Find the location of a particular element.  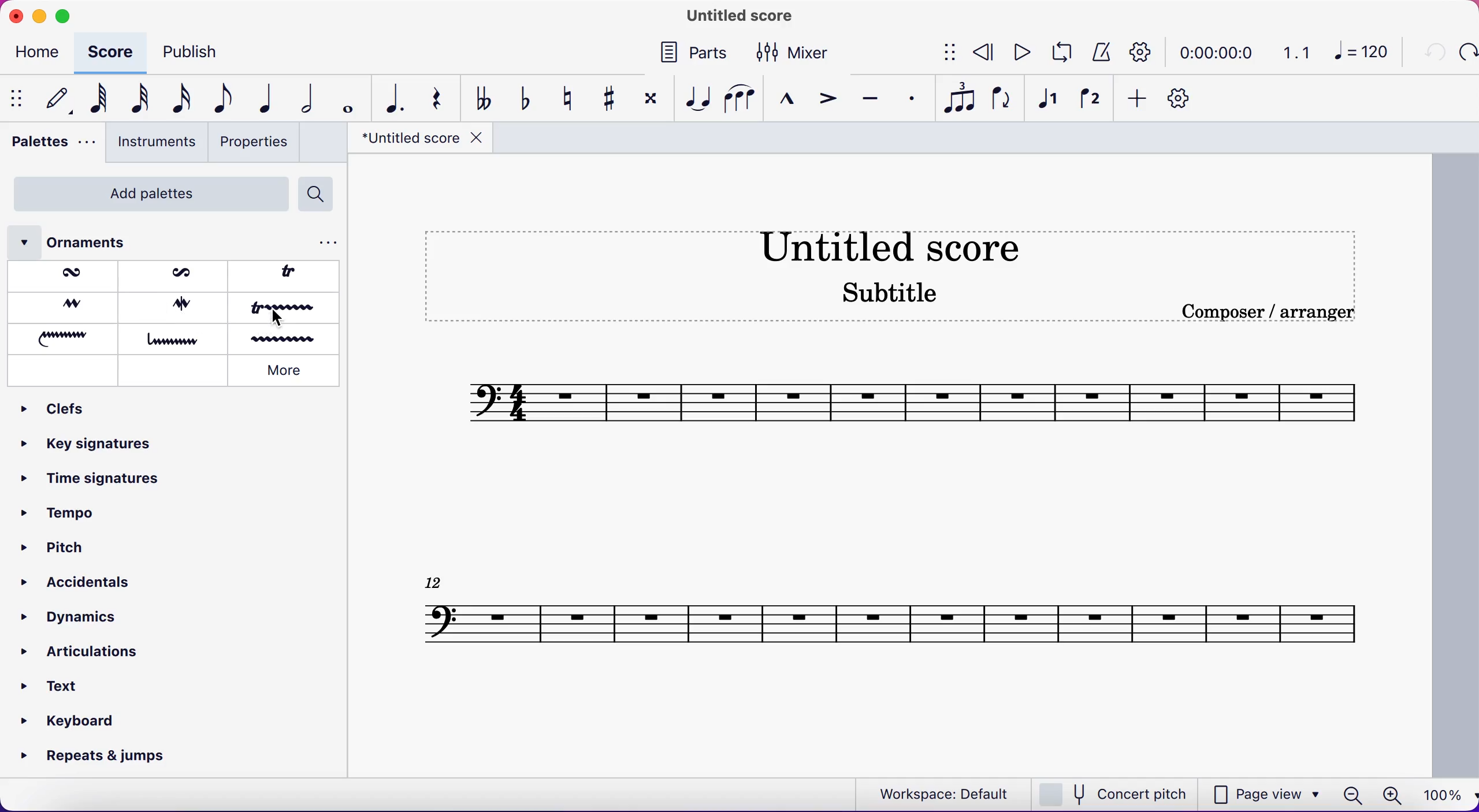

mixer is located at coordinates (801, 52).